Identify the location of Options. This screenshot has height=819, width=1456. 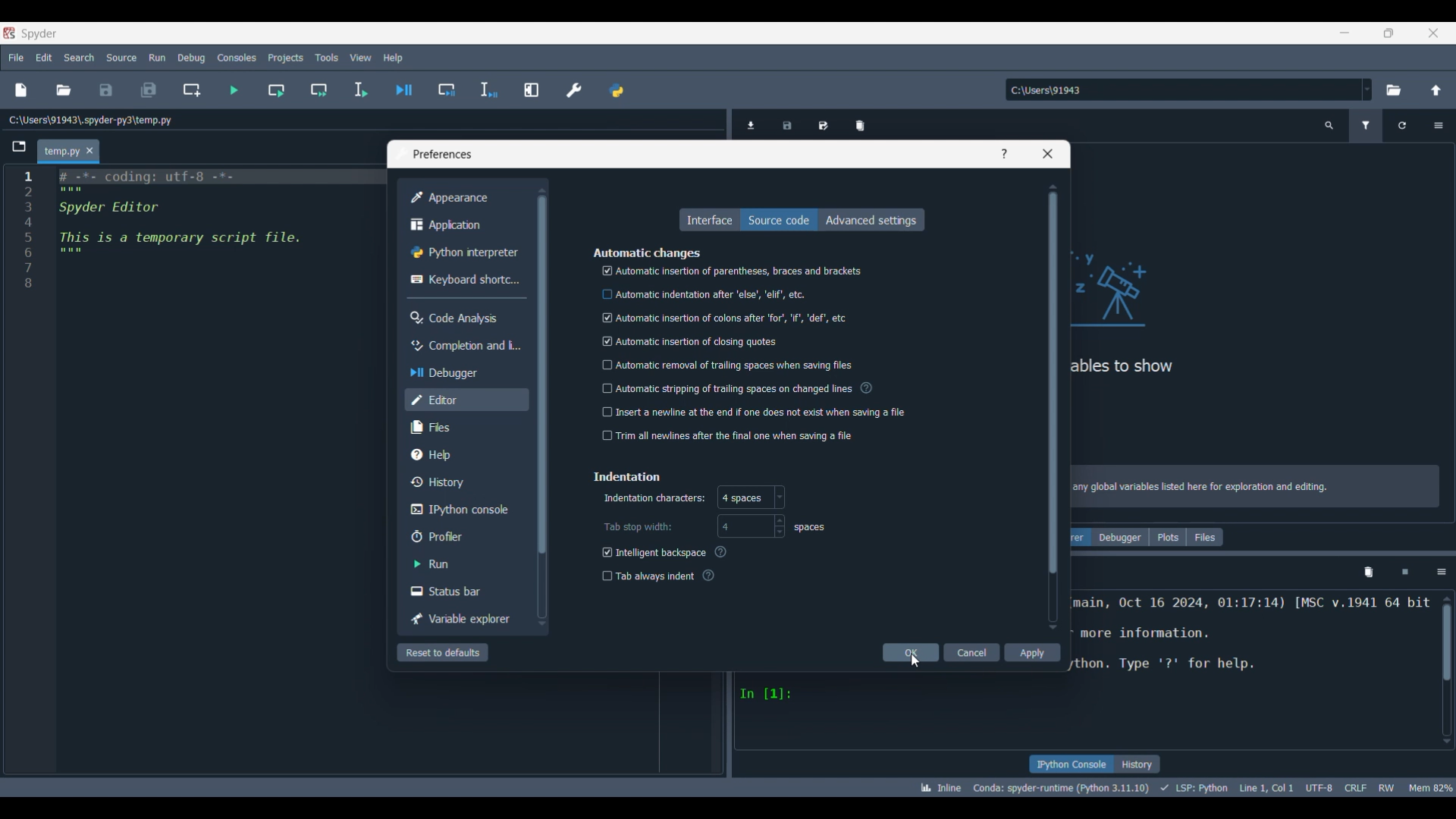
(1439, 126).